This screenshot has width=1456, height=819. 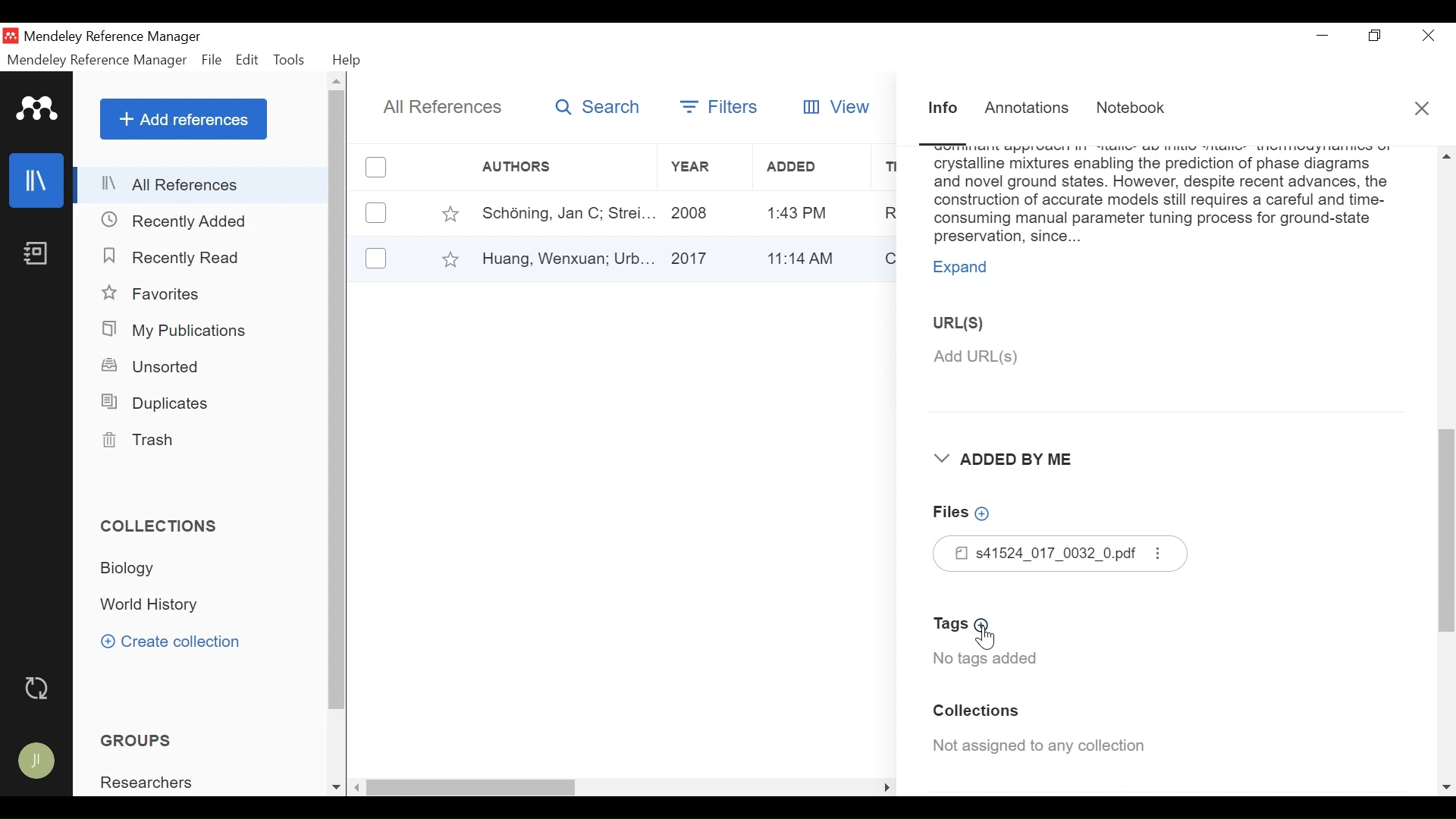 I want to click on Avatar, so click(x=37, y=761).